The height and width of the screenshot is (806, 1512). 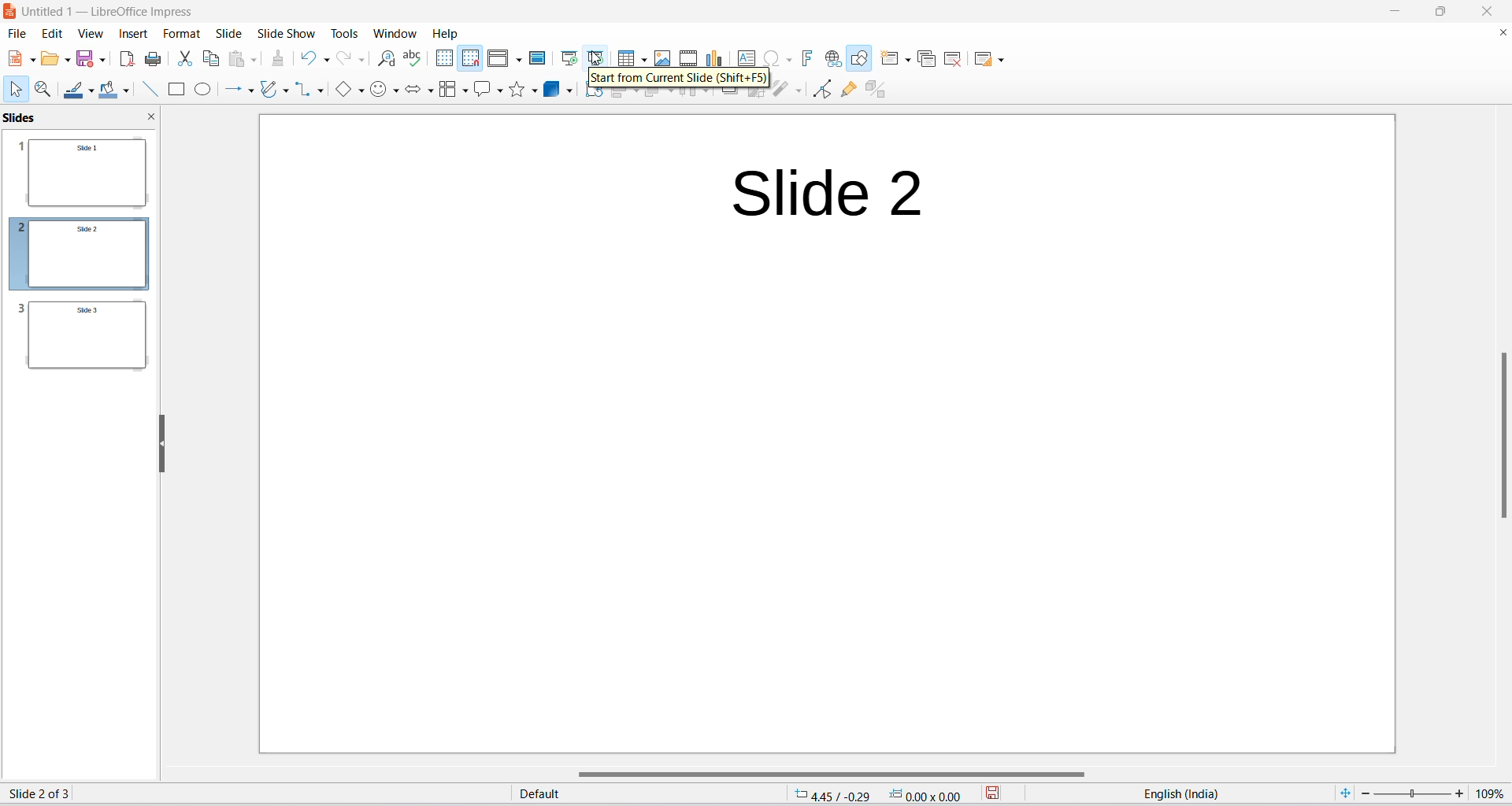 I want to click on ellipse, so click(x=206, y=88).